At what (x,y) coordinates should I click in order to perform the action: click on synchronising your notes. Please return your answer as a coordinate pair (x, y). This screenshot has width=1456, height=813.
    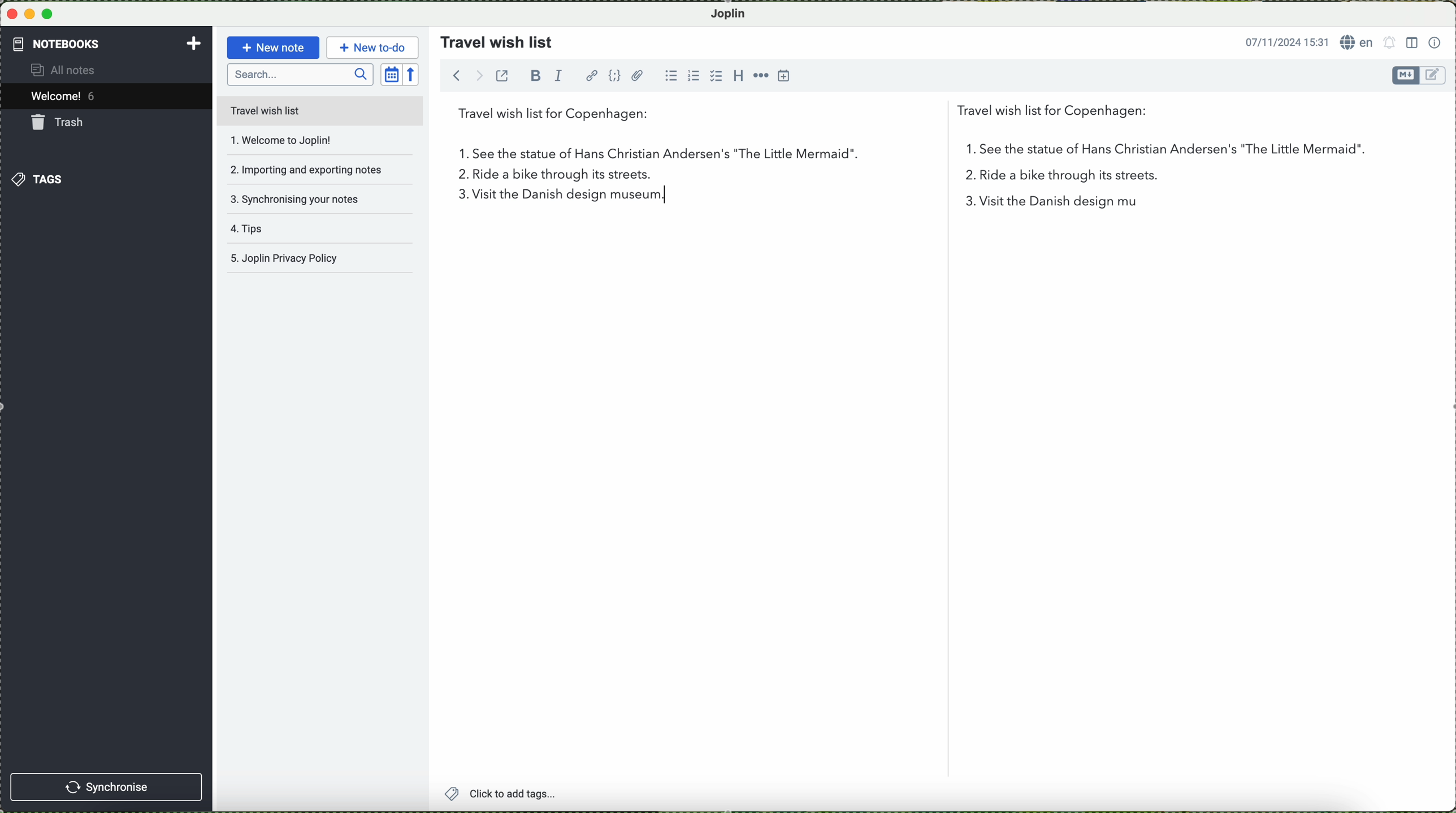
    Looking at the image, I should click on (304, 198).